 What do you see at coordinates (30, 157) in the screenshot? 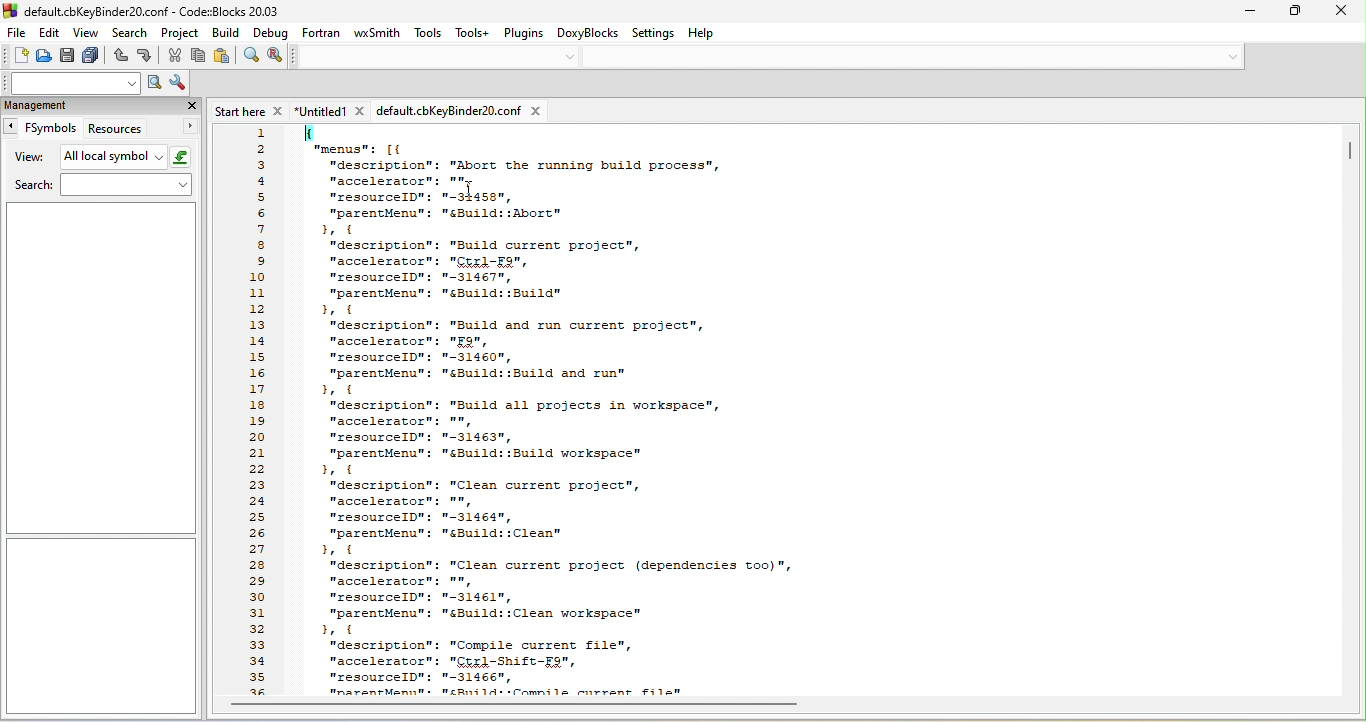
I see `view` at bounding box center [30, 157].